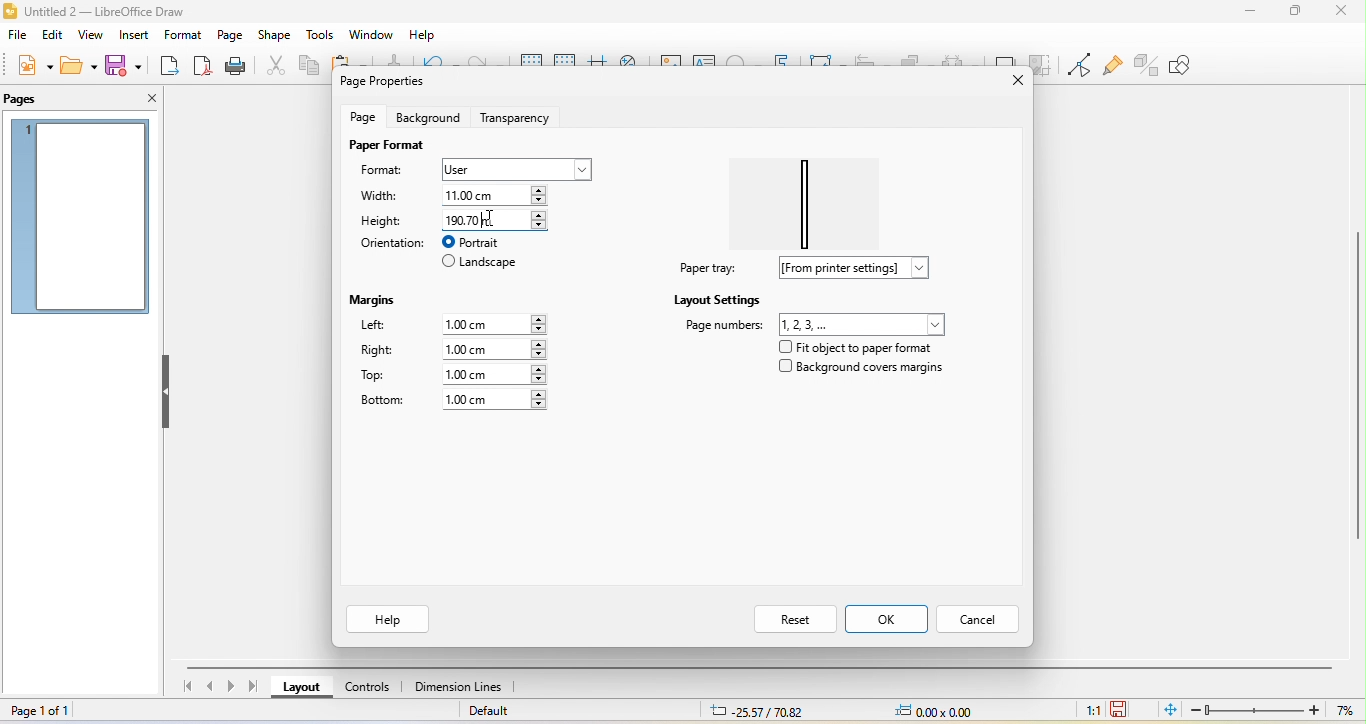 Image resolution: width=1366 pixels, height=724 pixels. Describe the element at coordinates (1195, 65) in the screenshot. I see `show draw function` at that location.